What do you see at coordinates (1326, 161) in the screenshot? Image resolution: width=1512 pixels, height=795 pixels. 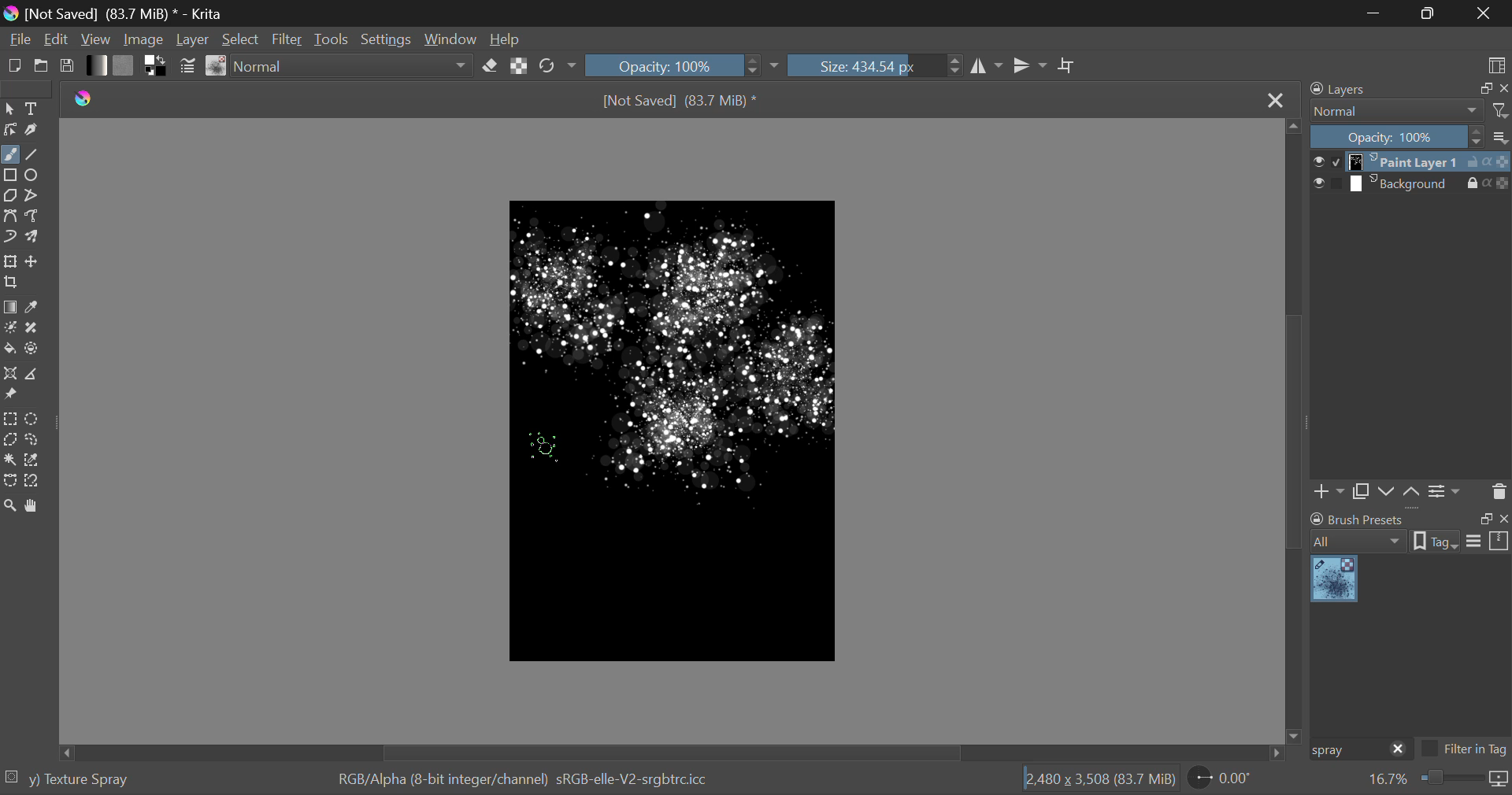 I see `checkbox` at bounding box center [1326, 161].